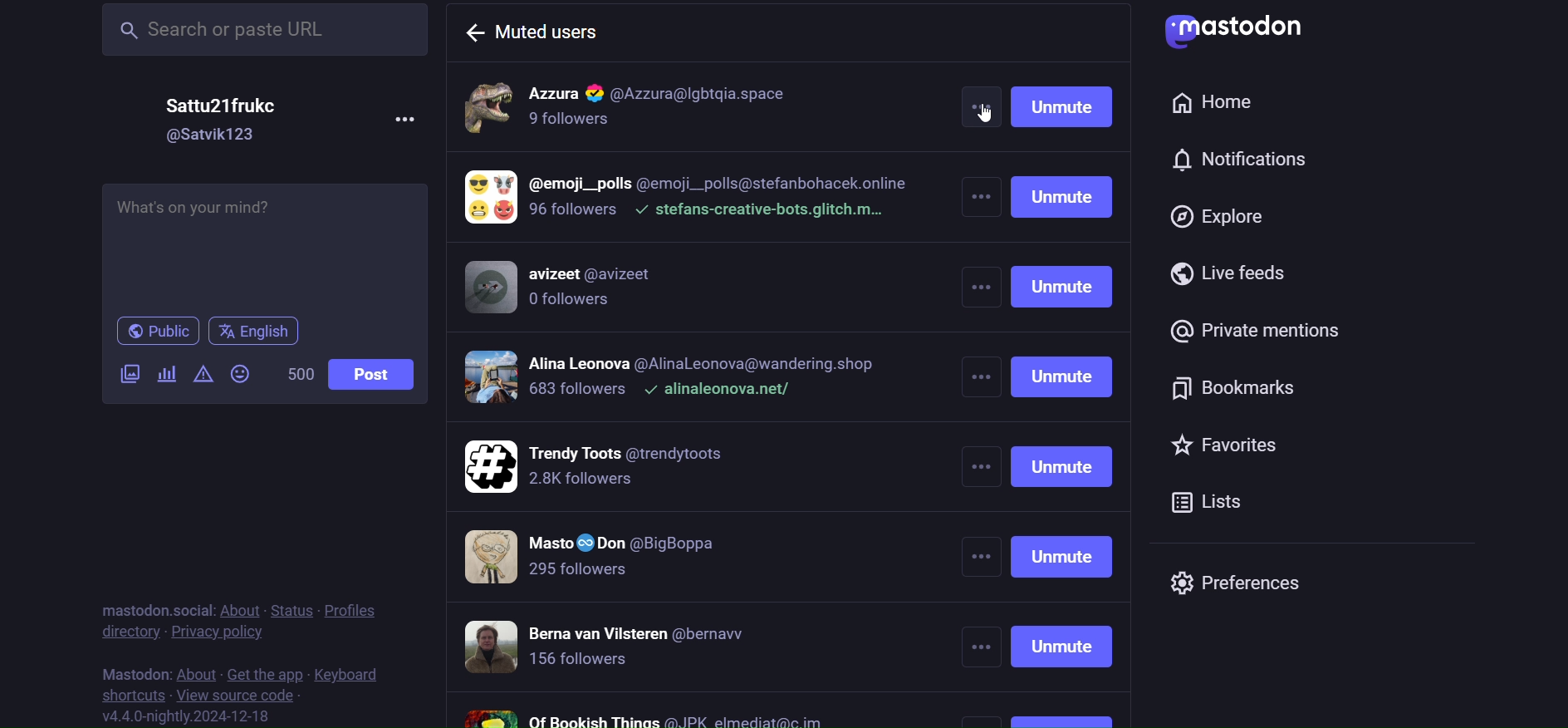 The height and width of the screenshot is (728, 1568). What do you see at coordinates (157, 332) in the screenshot?
I see `public` at bounding box center [157, 332].